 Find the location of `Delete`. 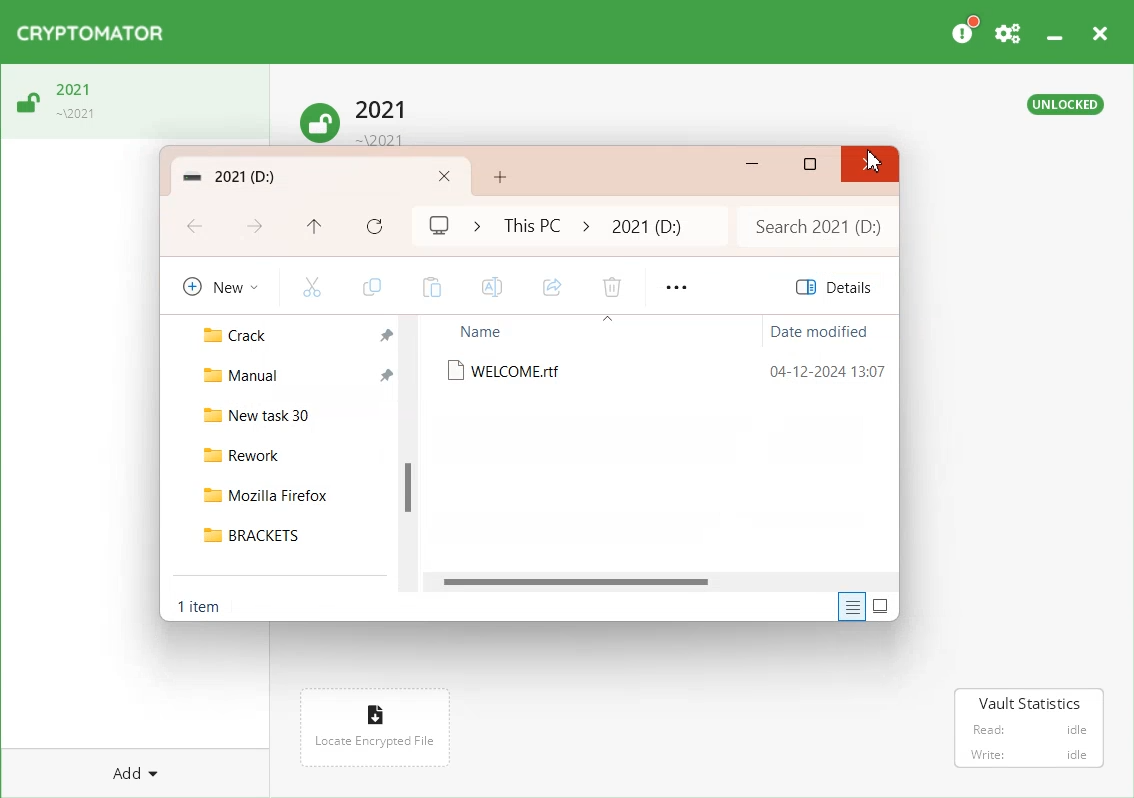

Delete is located at coordinates (613, 286).